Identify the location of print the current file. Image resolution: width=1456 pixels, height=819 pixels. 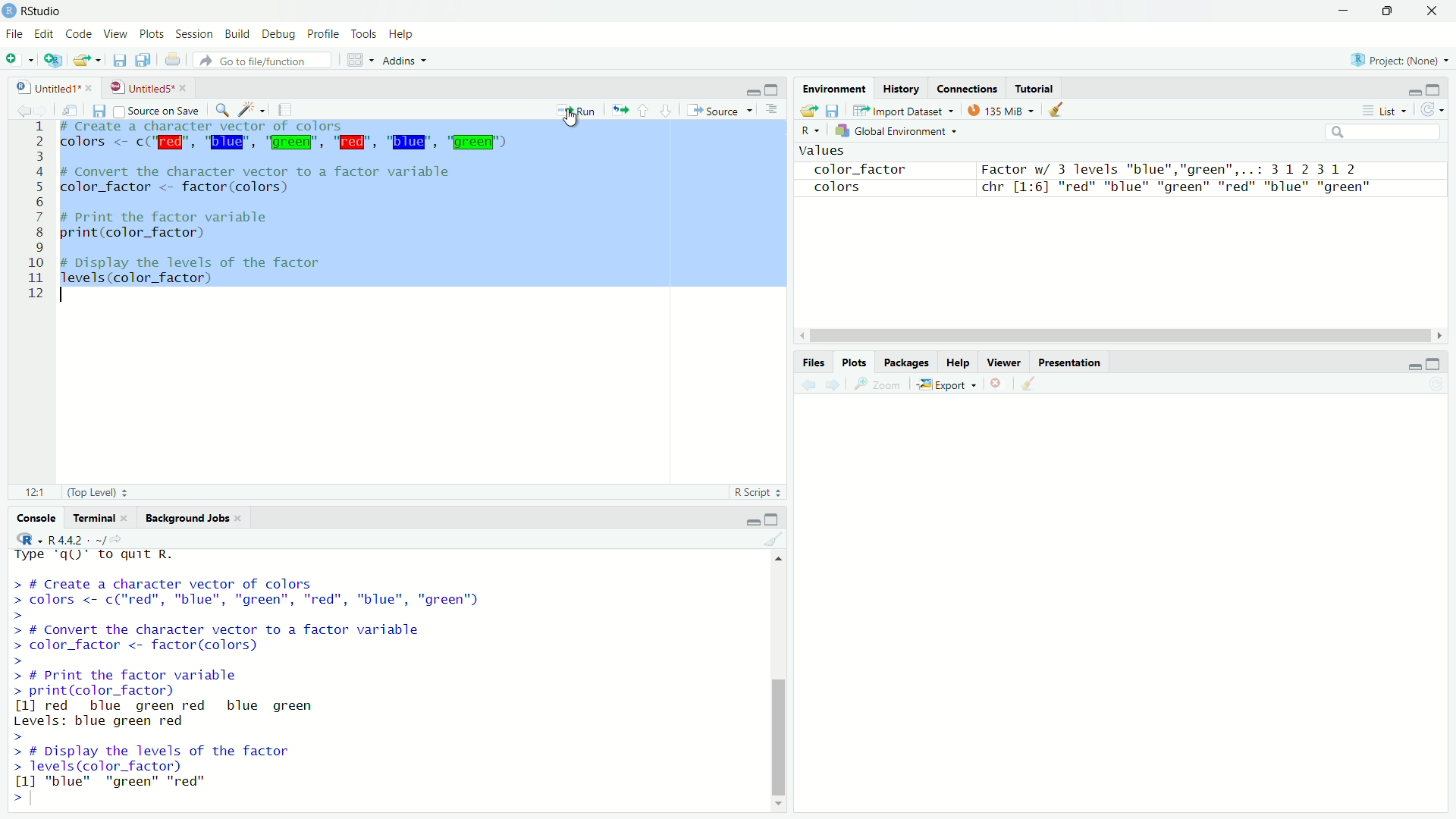
(173, 59).